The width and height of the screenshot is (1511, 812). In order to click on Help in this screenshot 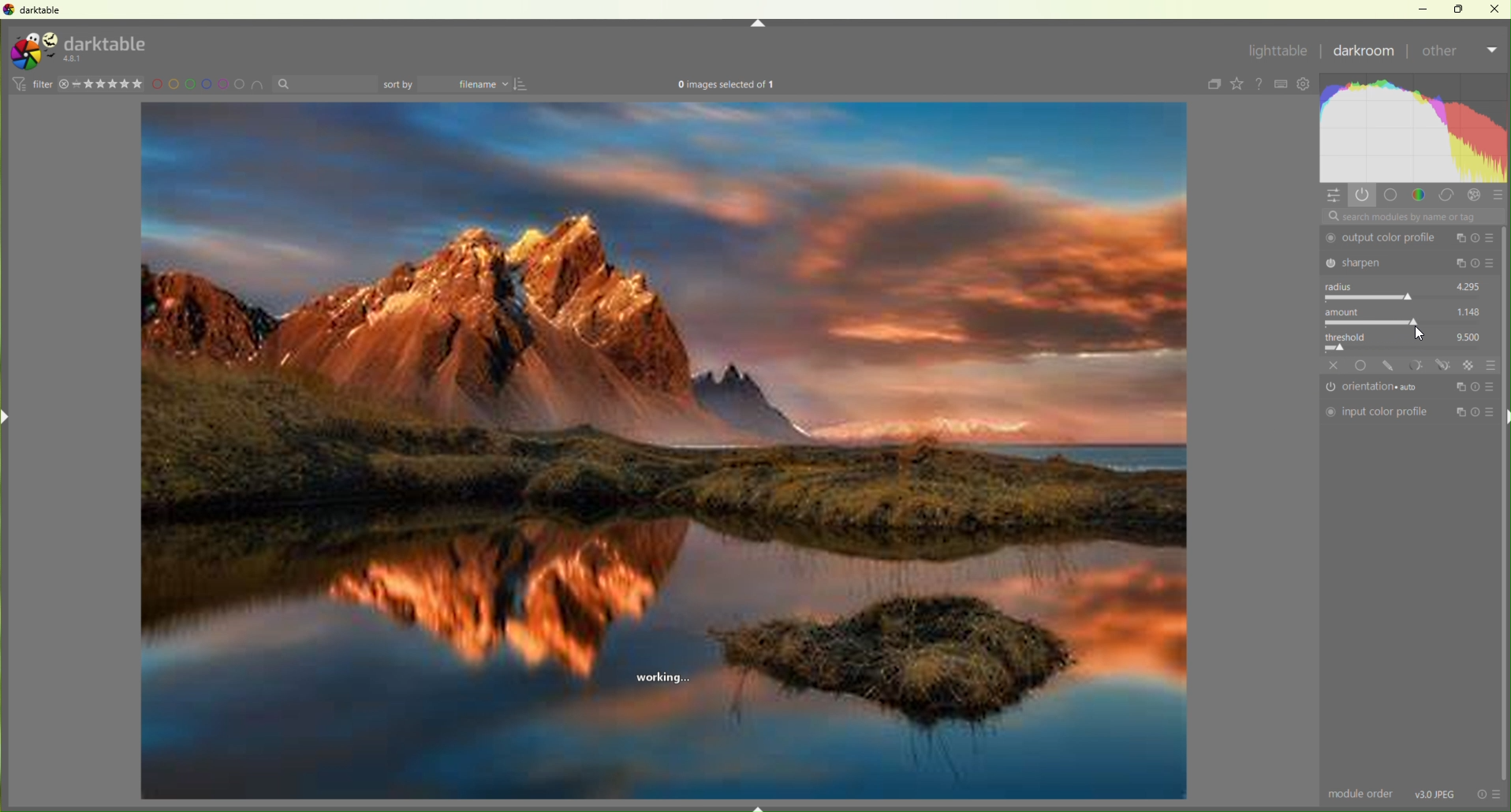, I will do `click(1261, 84)`.